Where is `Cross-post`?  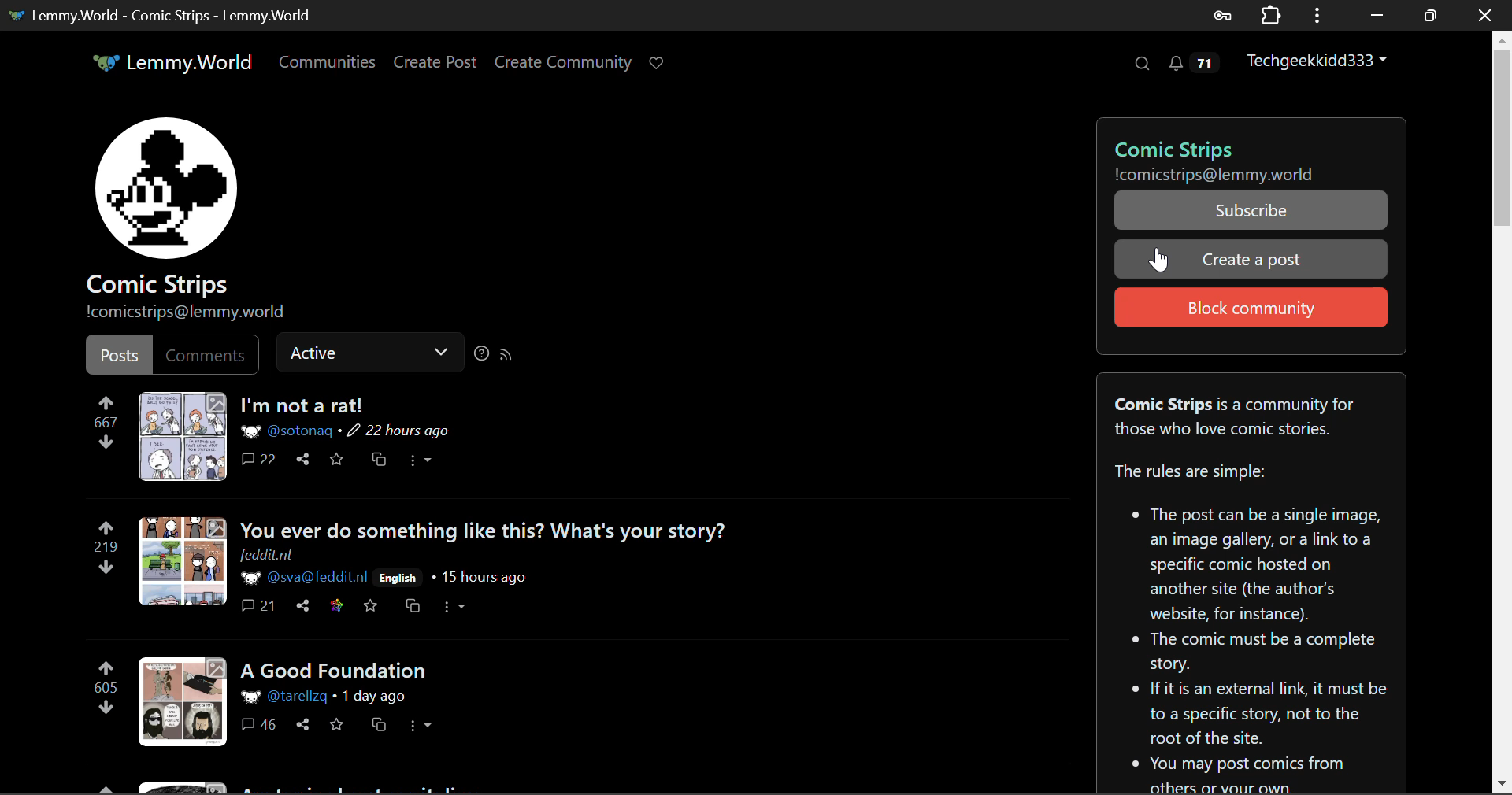
Cross-post is located at coordinates (379, 460).